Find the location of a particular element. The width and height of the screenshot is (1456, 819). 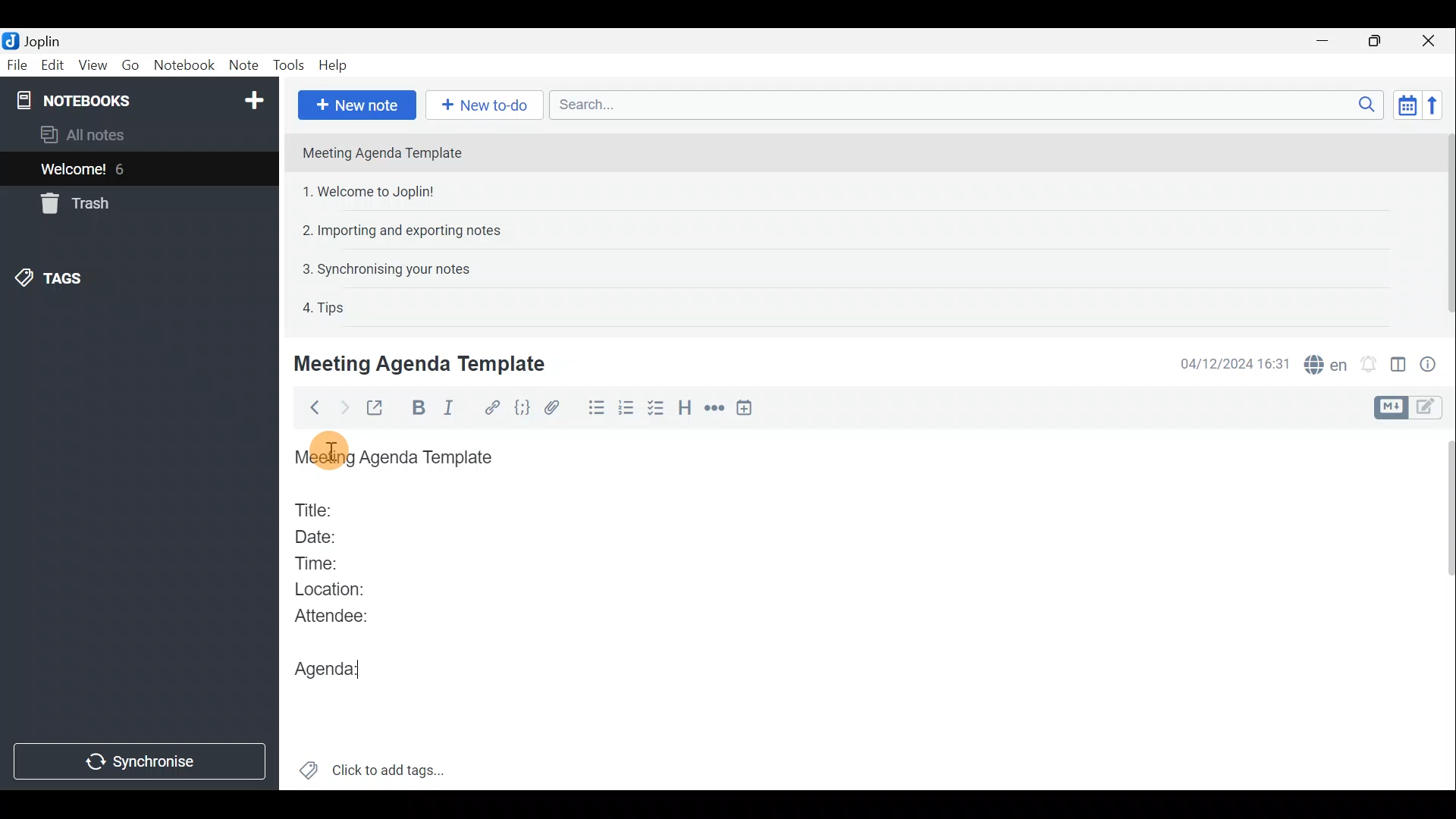

3. Synchronising your notes is located at coordinates (386, 268).